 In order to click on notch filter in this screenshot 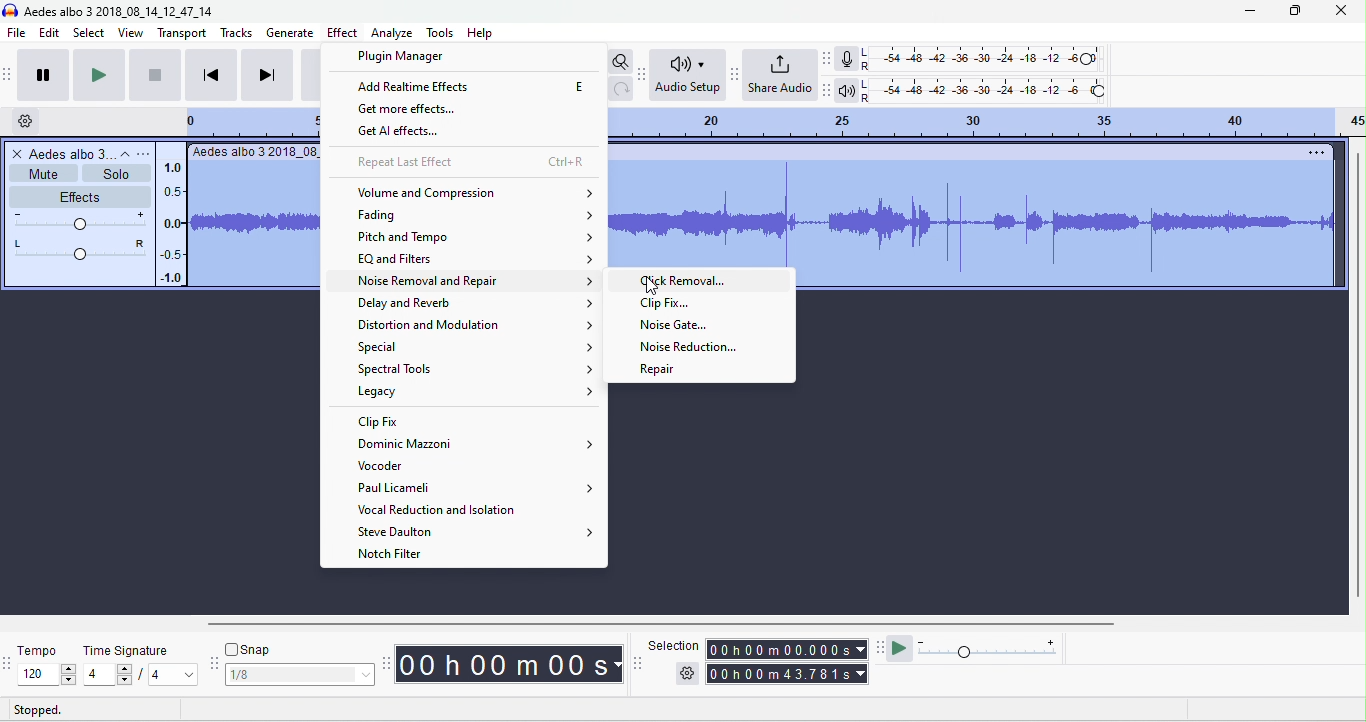, I will do `click(400, 555)`.